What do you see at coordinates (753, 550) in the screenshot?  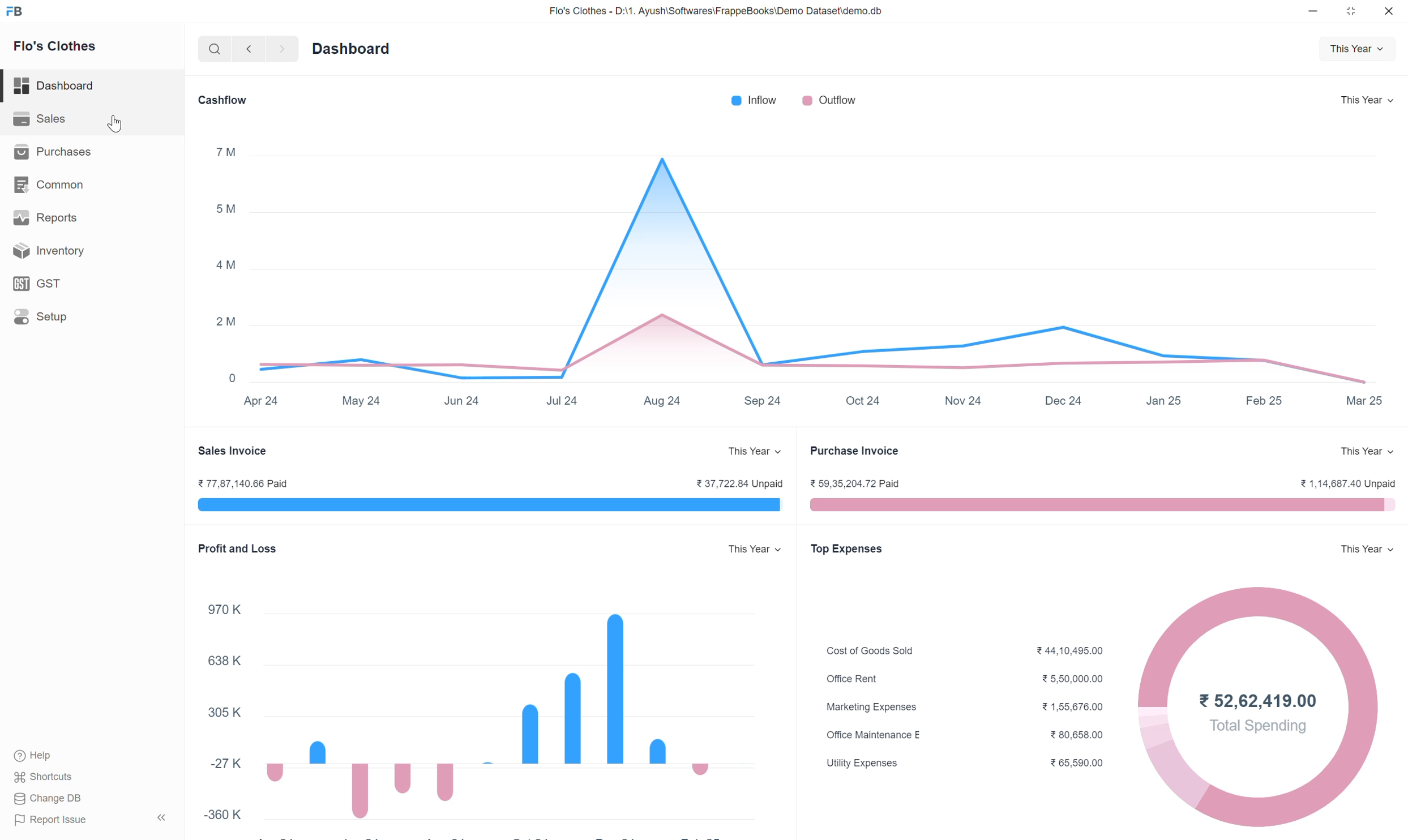 I see `This Year ` at bounding box center [753, 550].